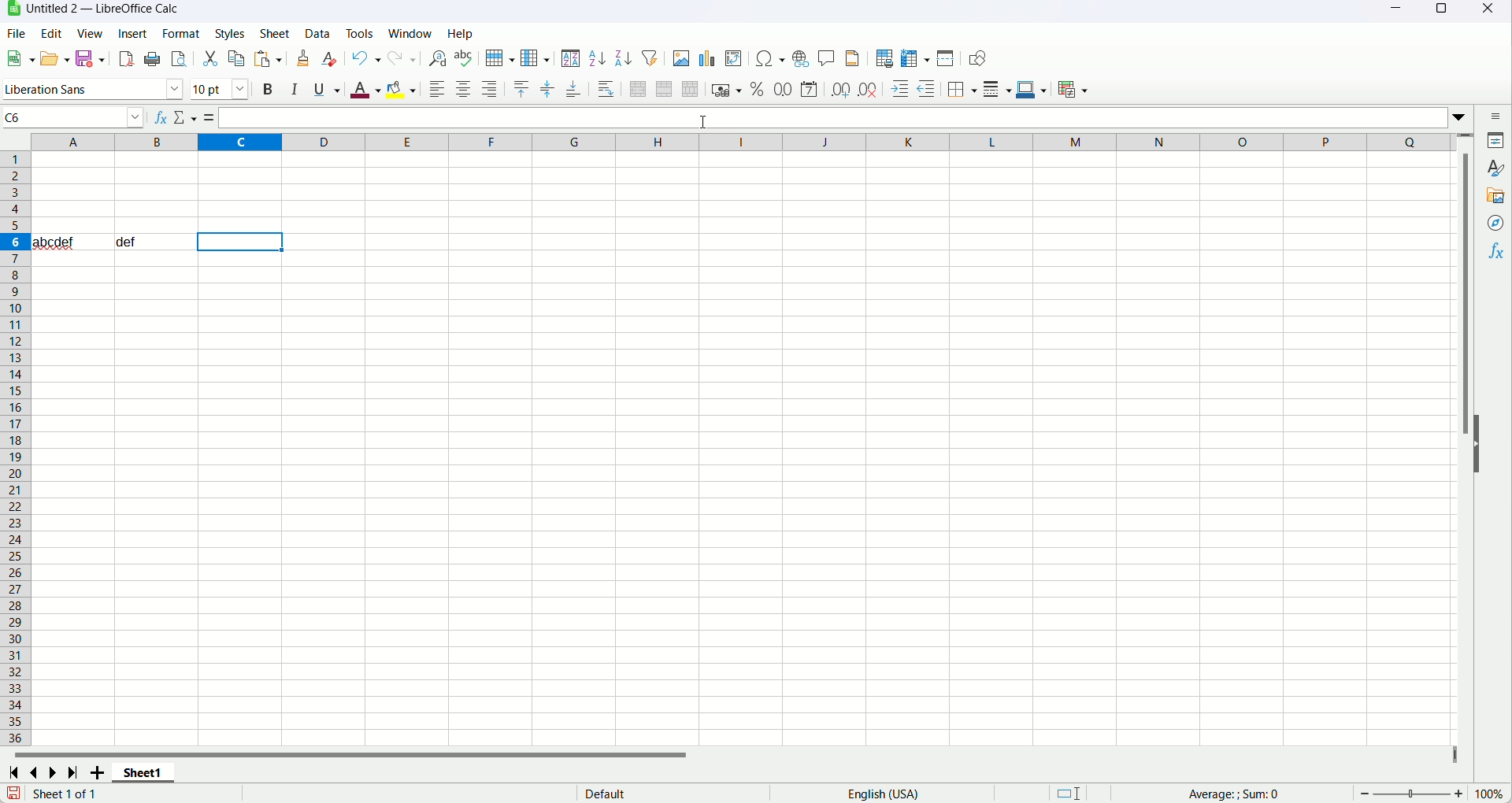 This screenshot has height=803, width=1512. I want to click on styles, so click(229, 33).